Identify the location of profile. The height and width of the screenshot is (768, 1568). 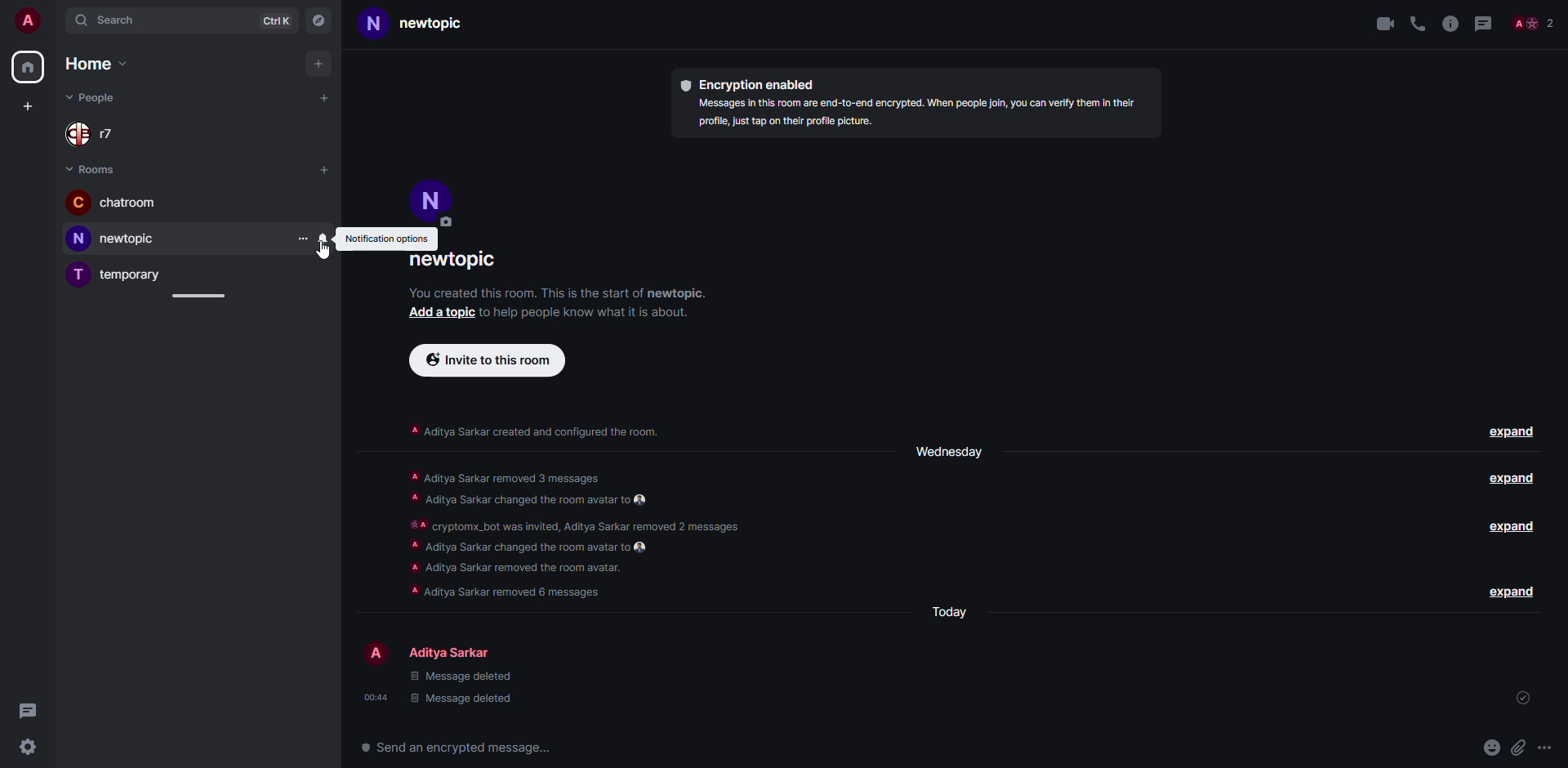
(29, 20).